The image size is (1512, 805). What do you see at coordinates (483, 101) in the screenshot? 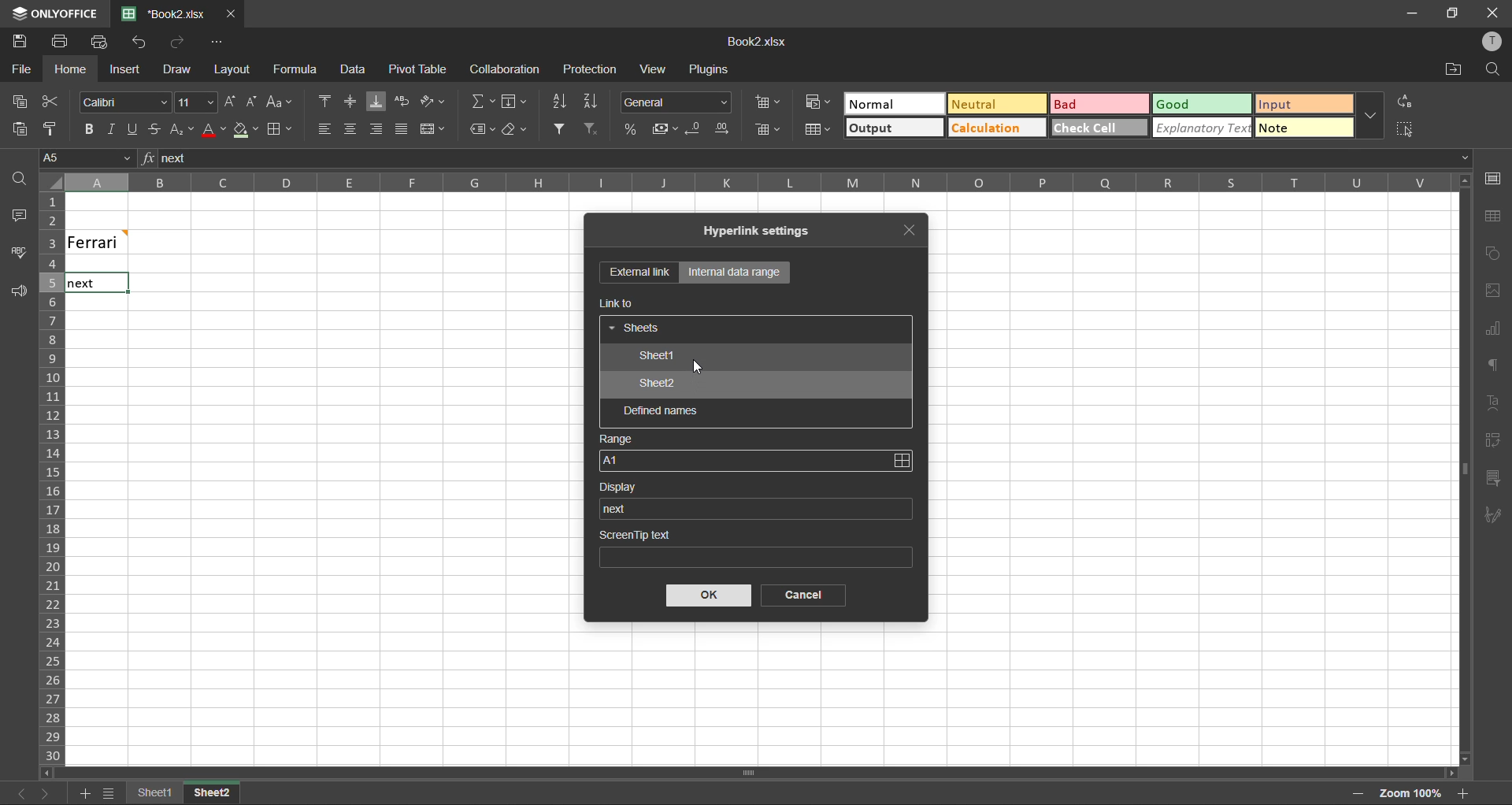
I see `summation` at bounding box center [483, 101].